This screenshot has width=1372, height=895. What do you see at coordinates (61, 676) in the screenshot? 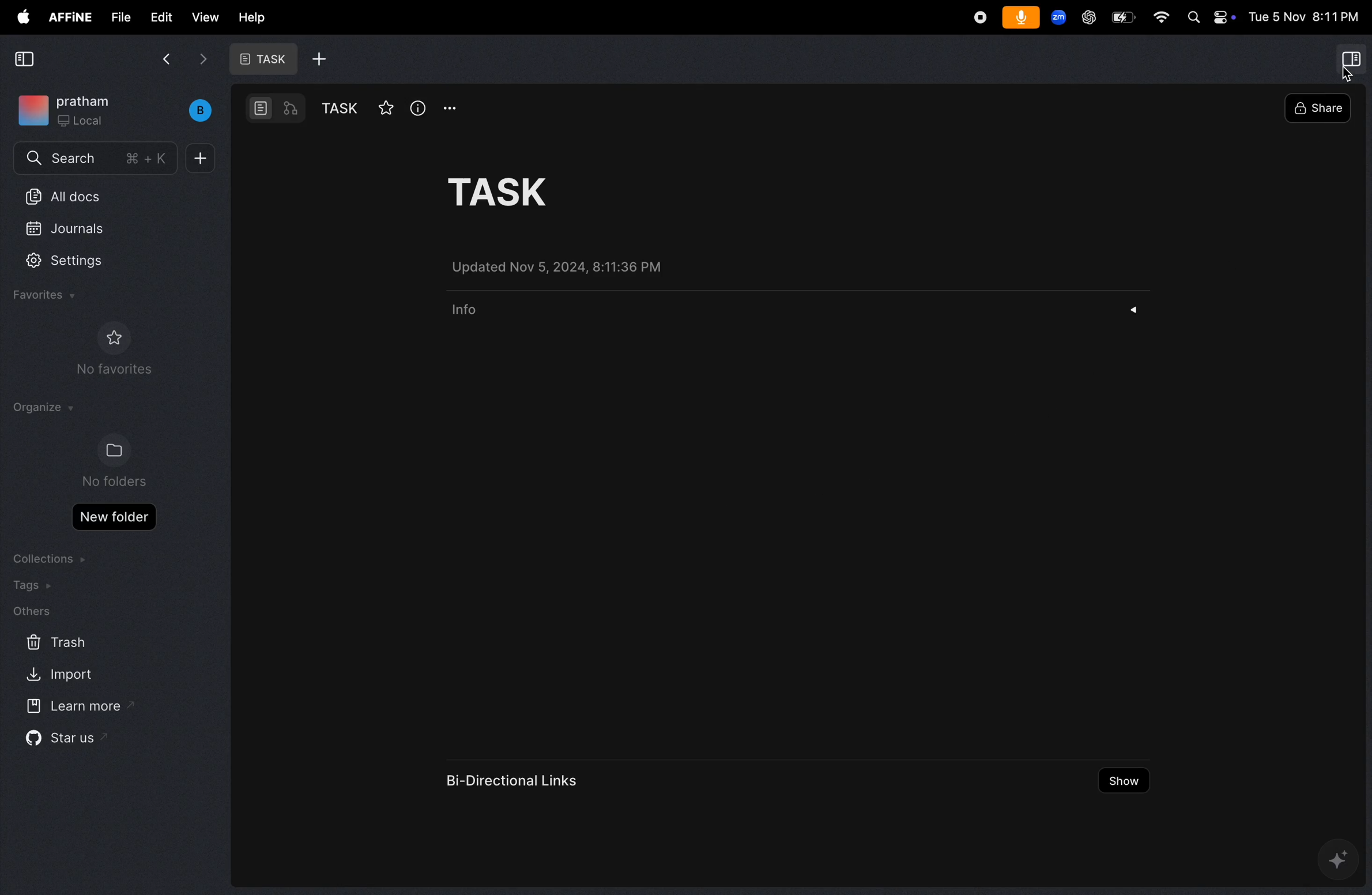
I see `import` at bounding box center [61, 676].